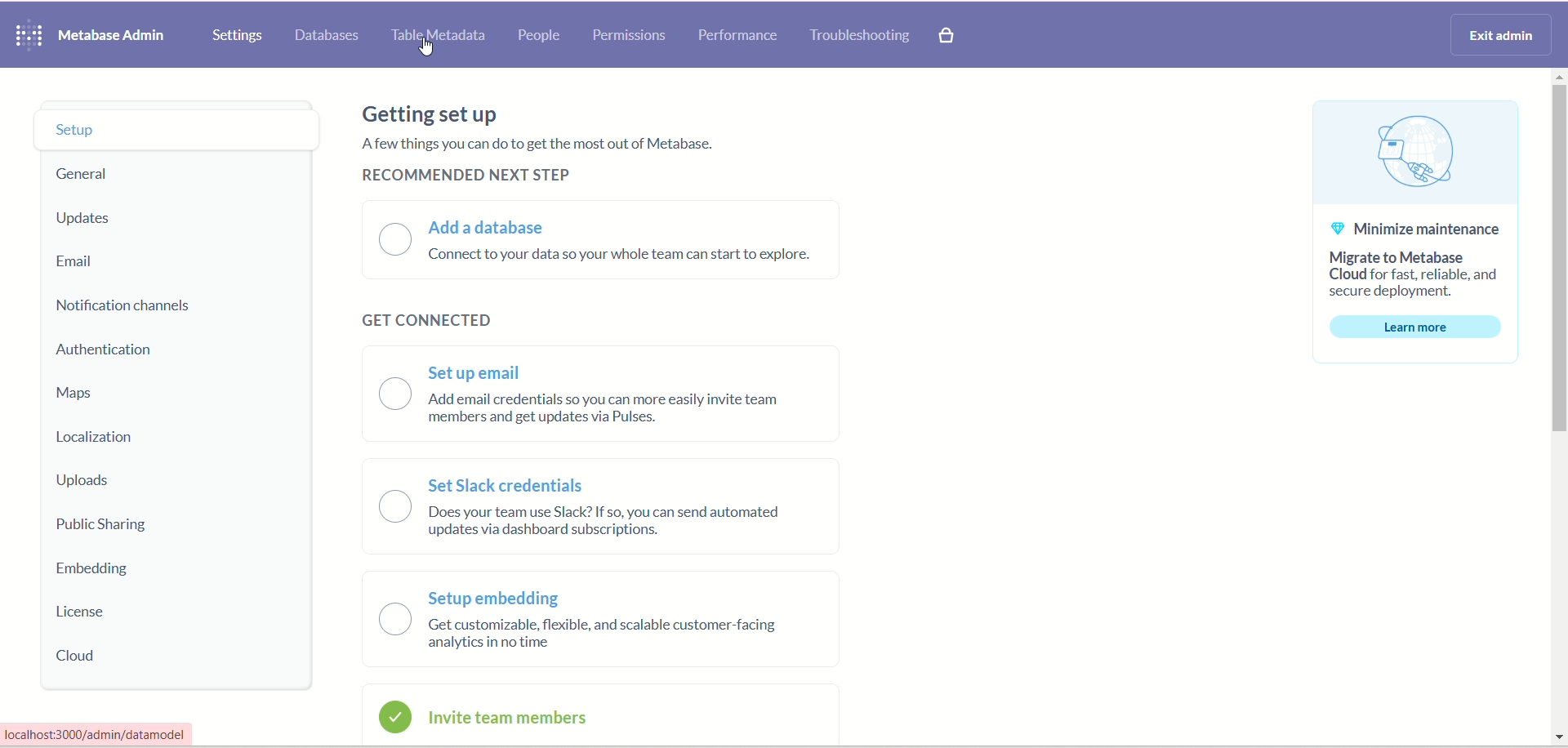 This screenshot has height=748, width=1568. I want to click on metabase logo, so click(27, 38).